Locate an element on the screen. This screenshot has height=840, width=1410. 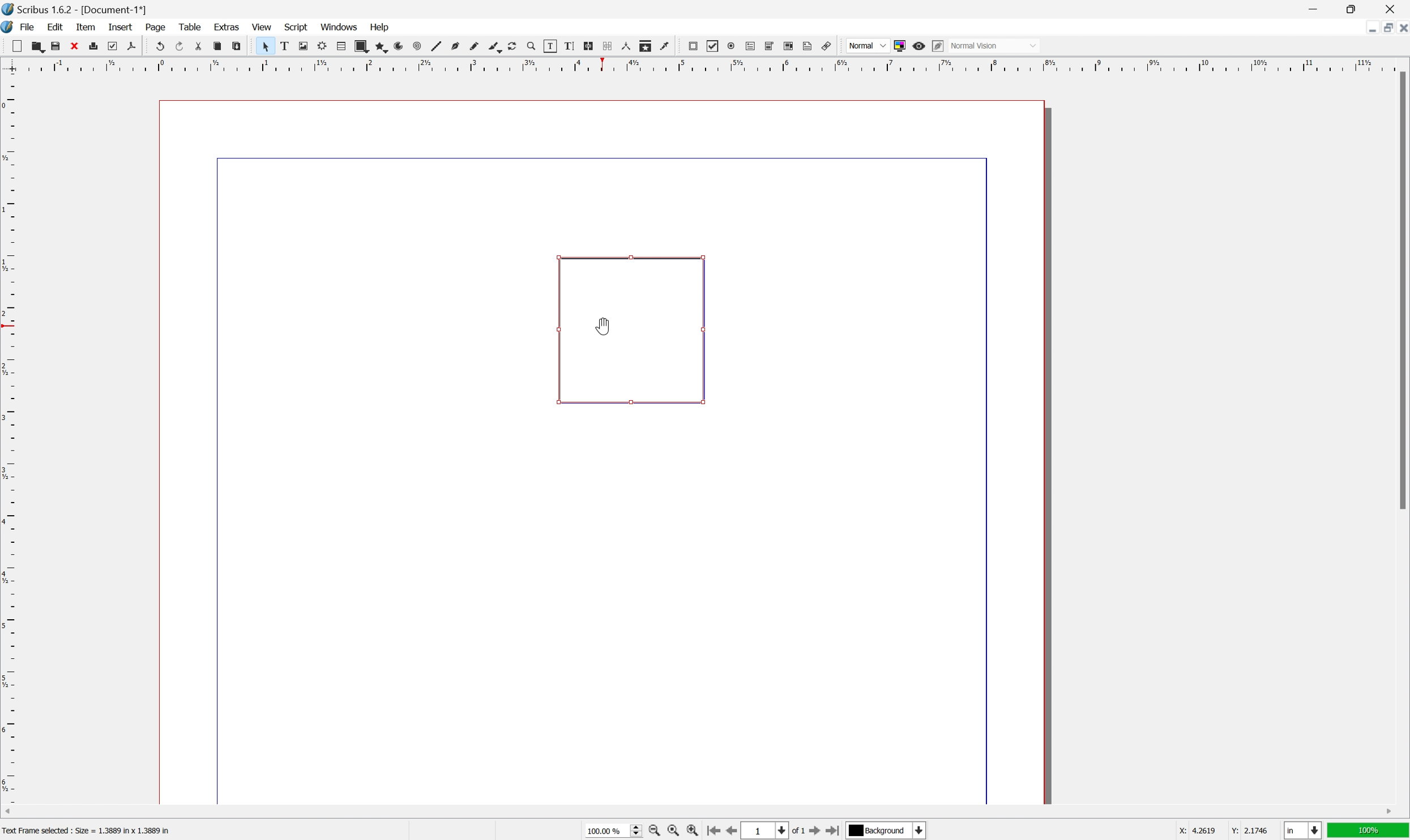
link annotation is located at coordinates (826, 46).